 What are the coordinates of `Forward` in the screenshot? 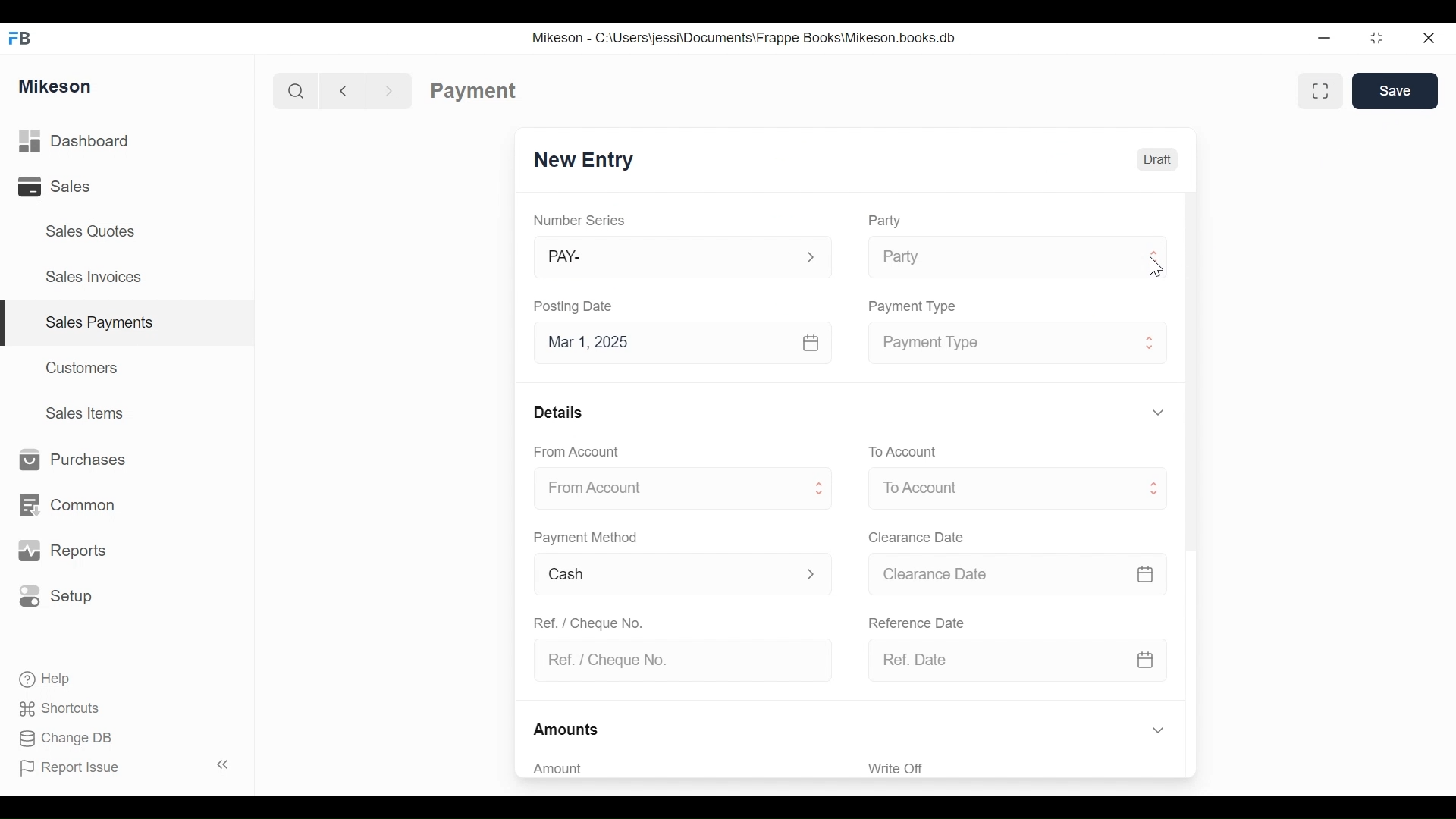 It's located at (394, 89).